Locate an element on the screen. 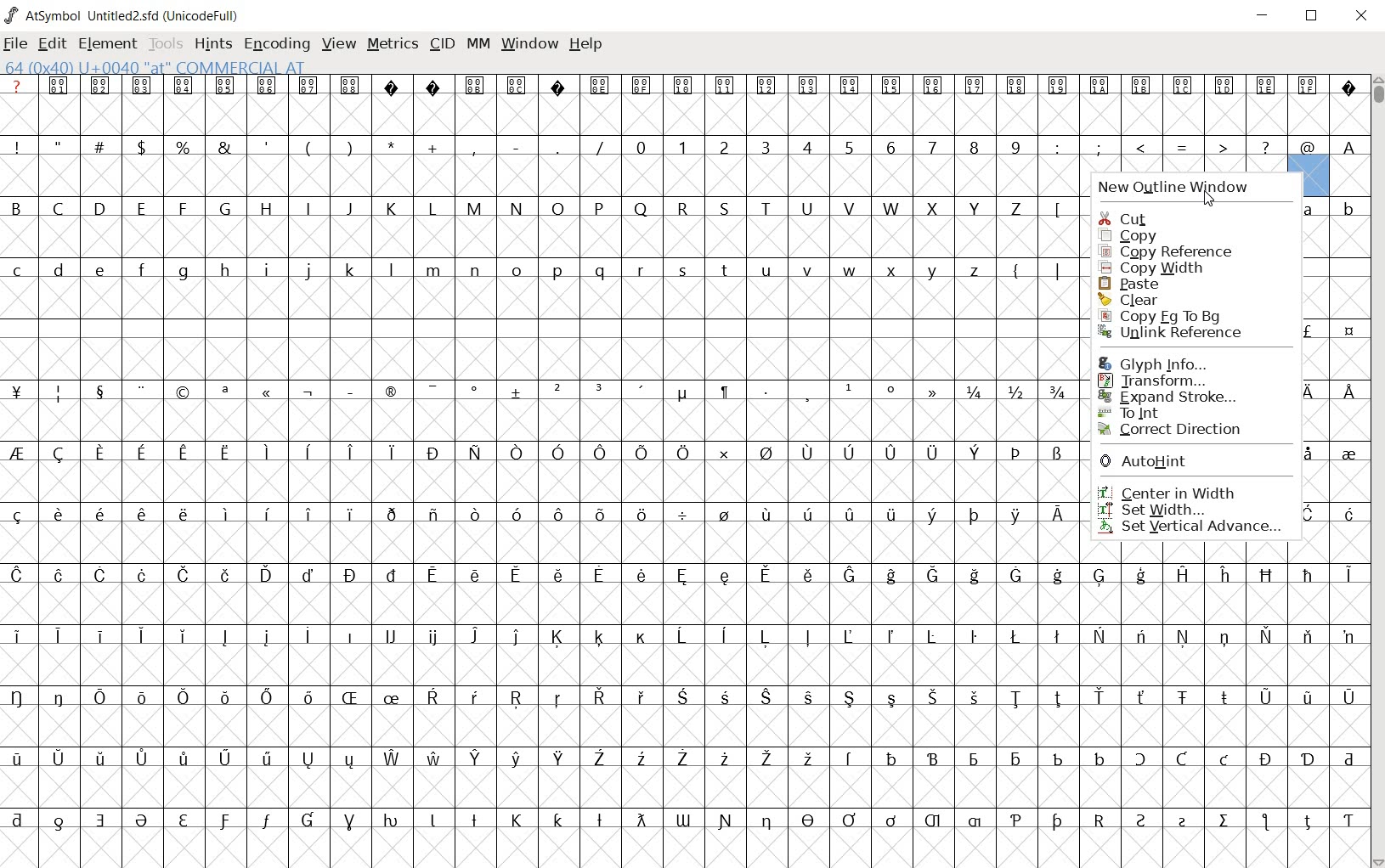 This screenshot has height=868, width=1385. set vertical advance is located at coordinates (1194, 529).